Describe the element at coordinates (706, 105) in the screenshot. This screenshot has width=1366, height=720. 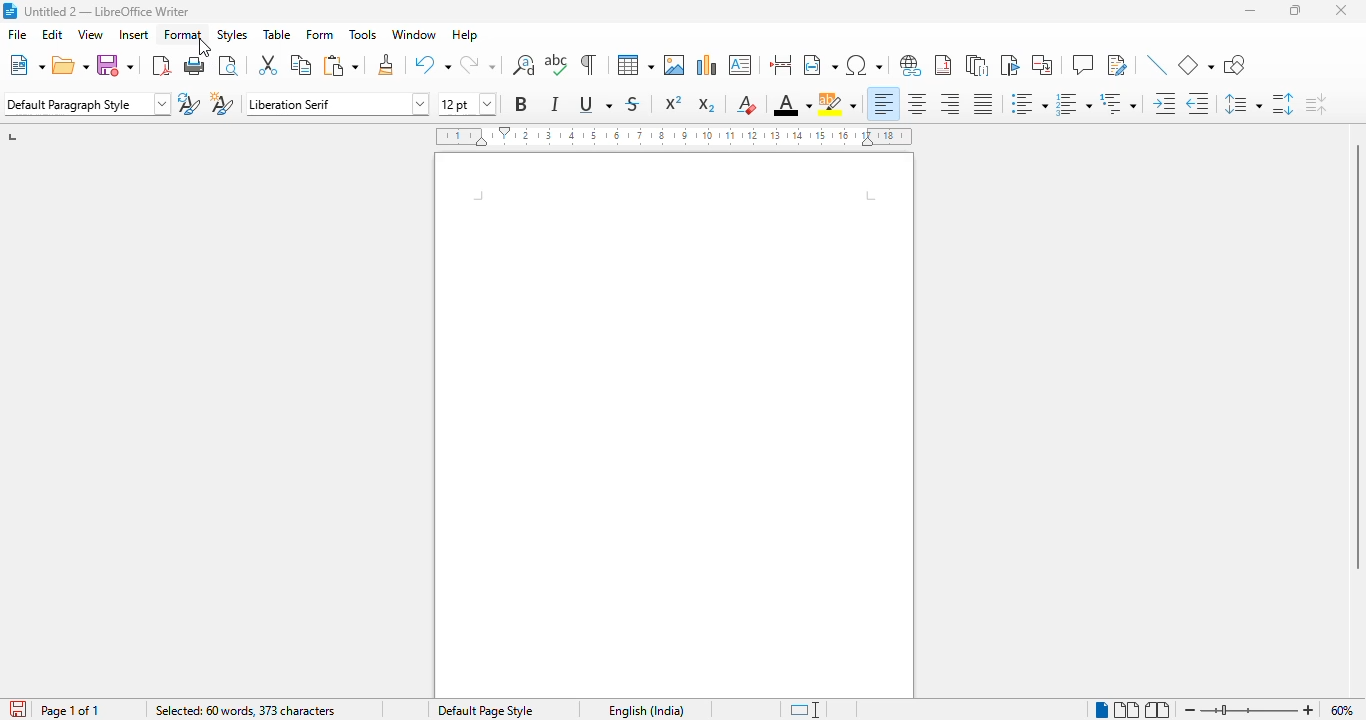
I see `subscript` at that location.